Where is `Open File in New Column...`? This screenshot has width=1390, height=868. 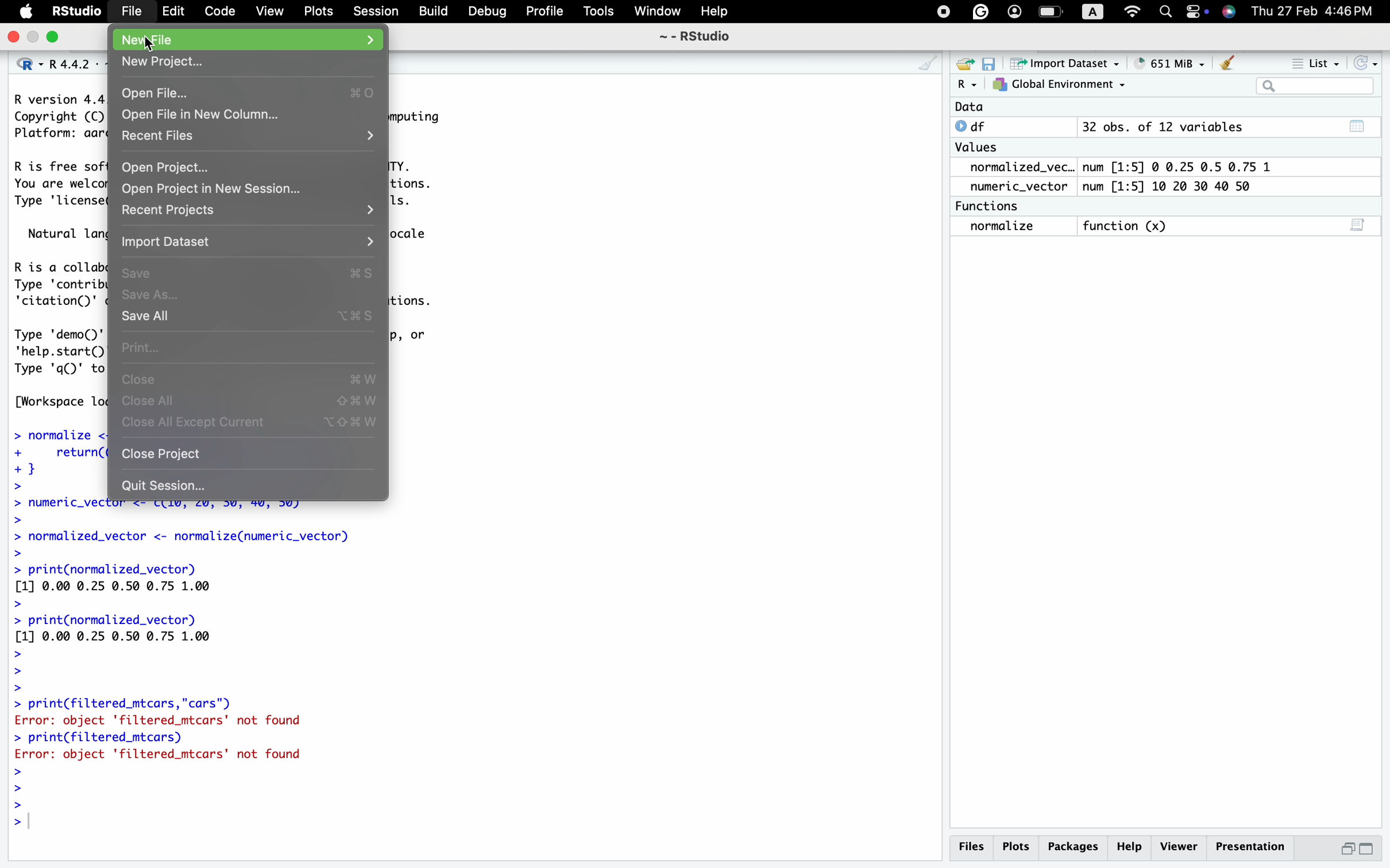
Open File in New Column... is located at coordinates (248, 117).